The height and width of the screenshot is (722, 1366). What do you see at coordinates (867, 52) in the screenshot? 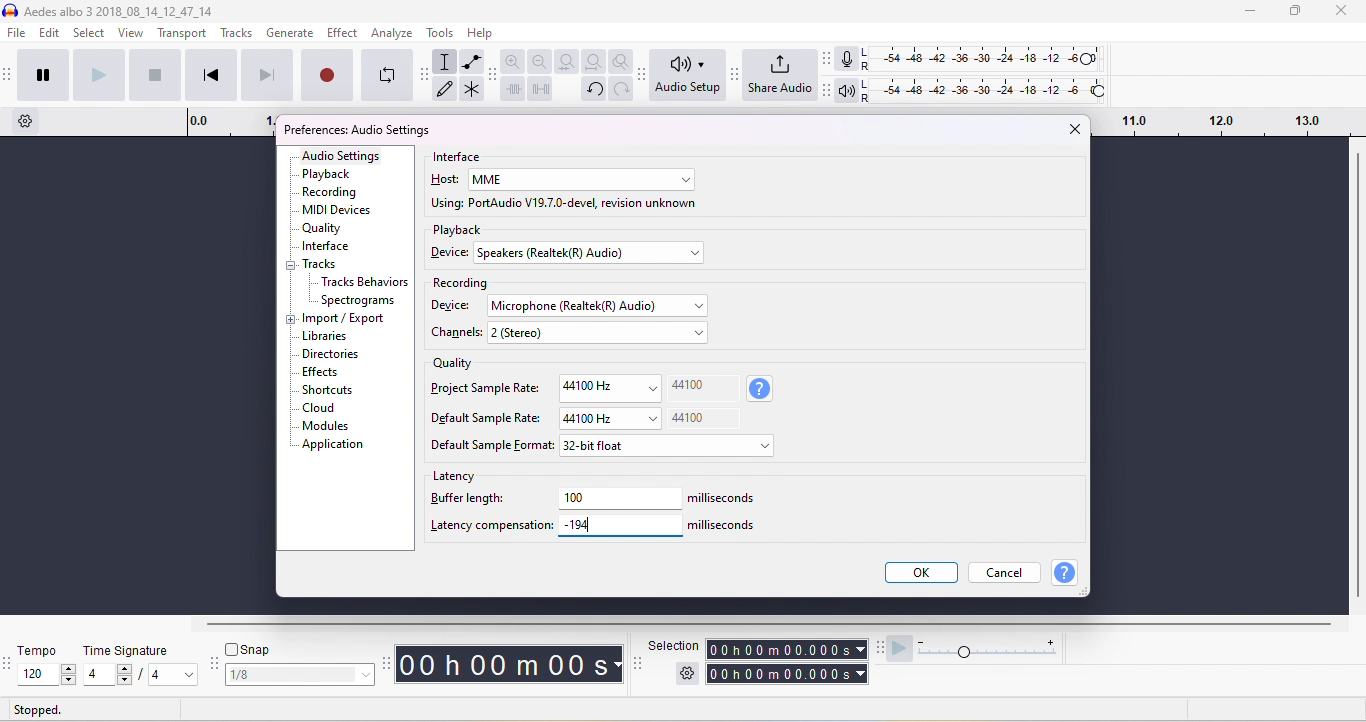
I see `L` at bounding box center [867, 52].